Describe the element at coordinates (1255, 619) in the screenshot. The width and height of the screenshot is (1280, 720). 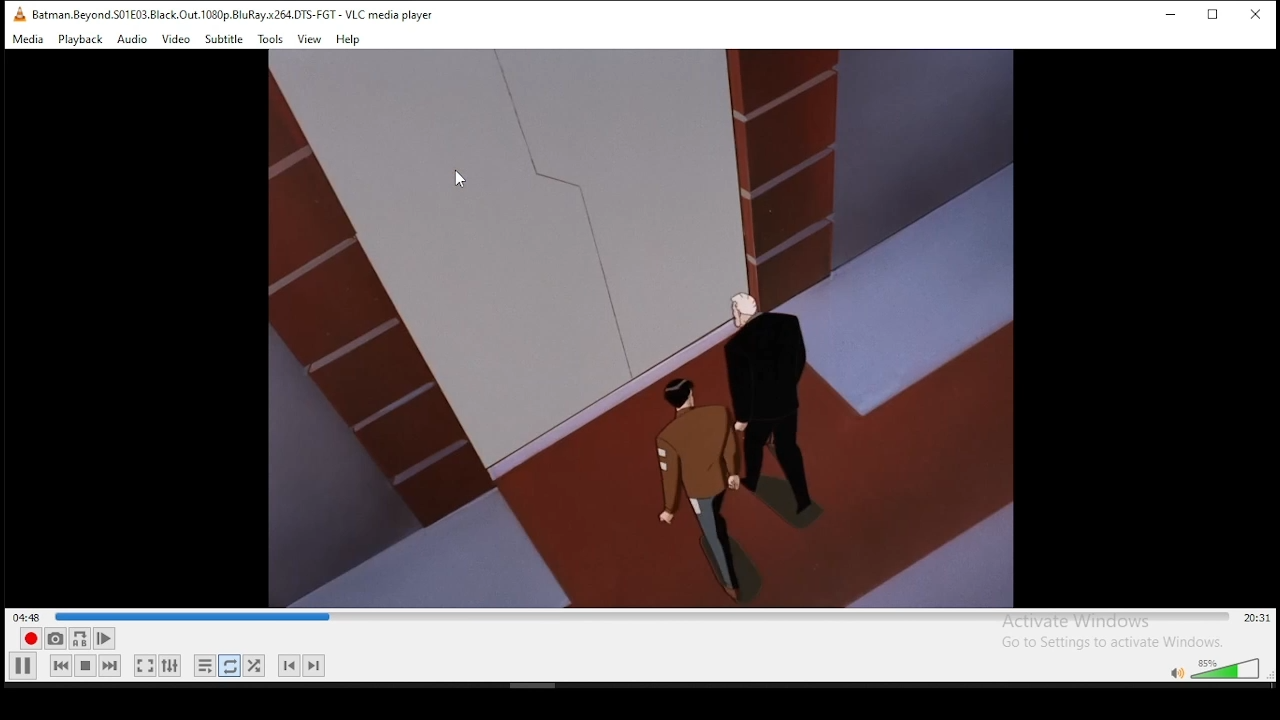
I see `20:31` at that location.